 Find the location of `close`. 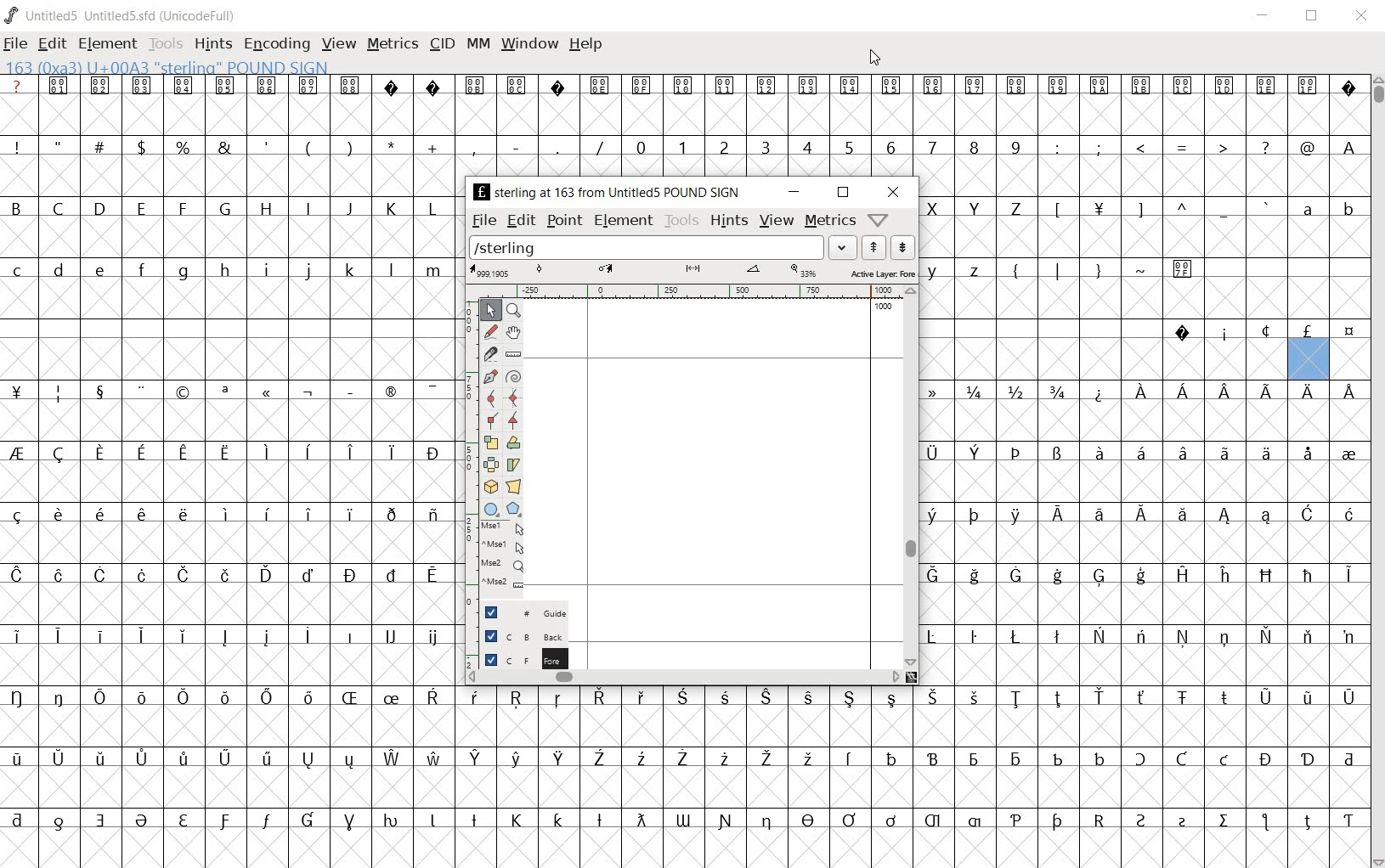

close is located at coordinates (891, 192).